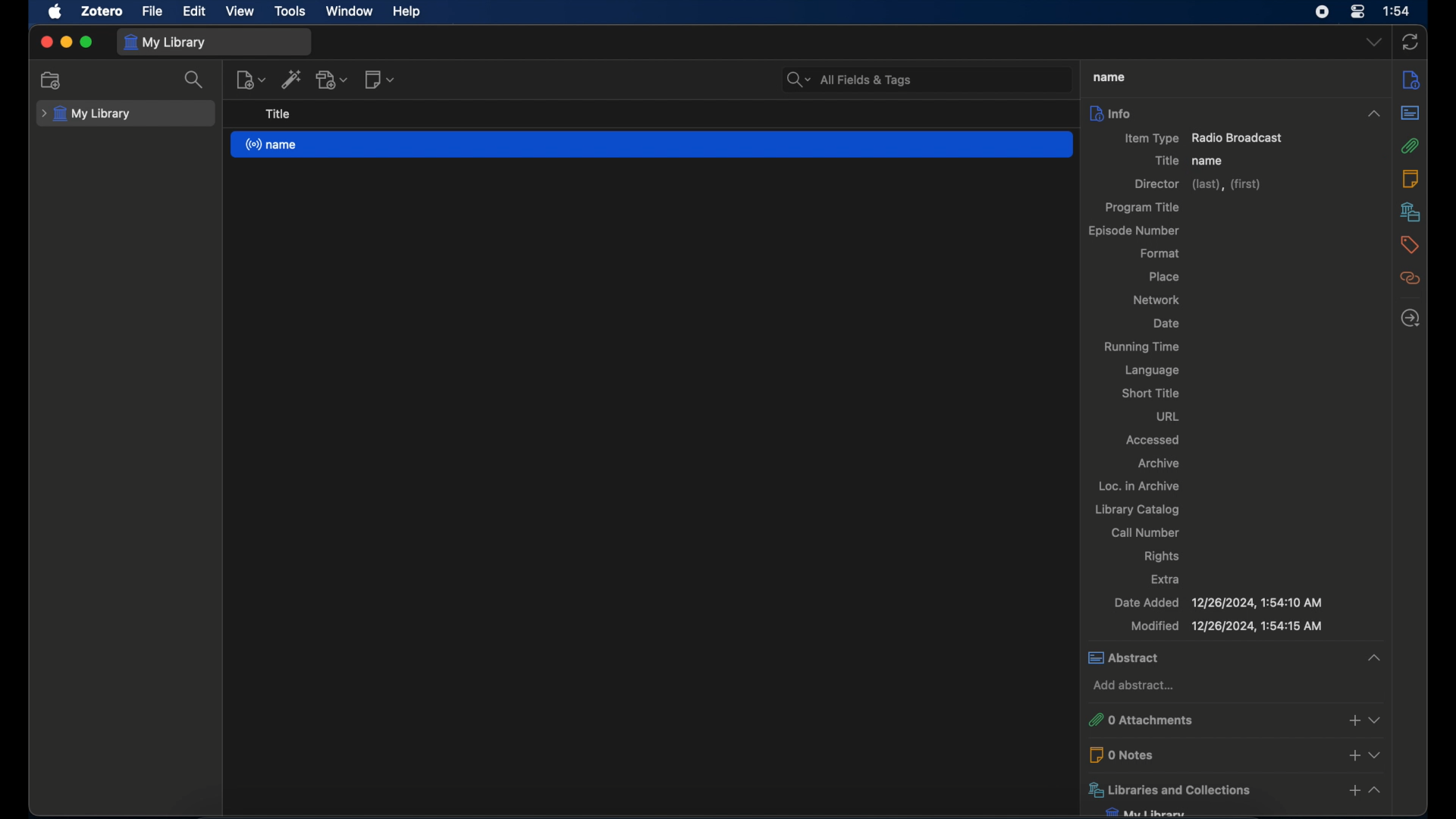 Image resolution: width=1456 pixels, height=819 pixels. What do you see at coordinates (1160, 254) in the screenshot?
I see `format` at bounding box center [1160, 254].